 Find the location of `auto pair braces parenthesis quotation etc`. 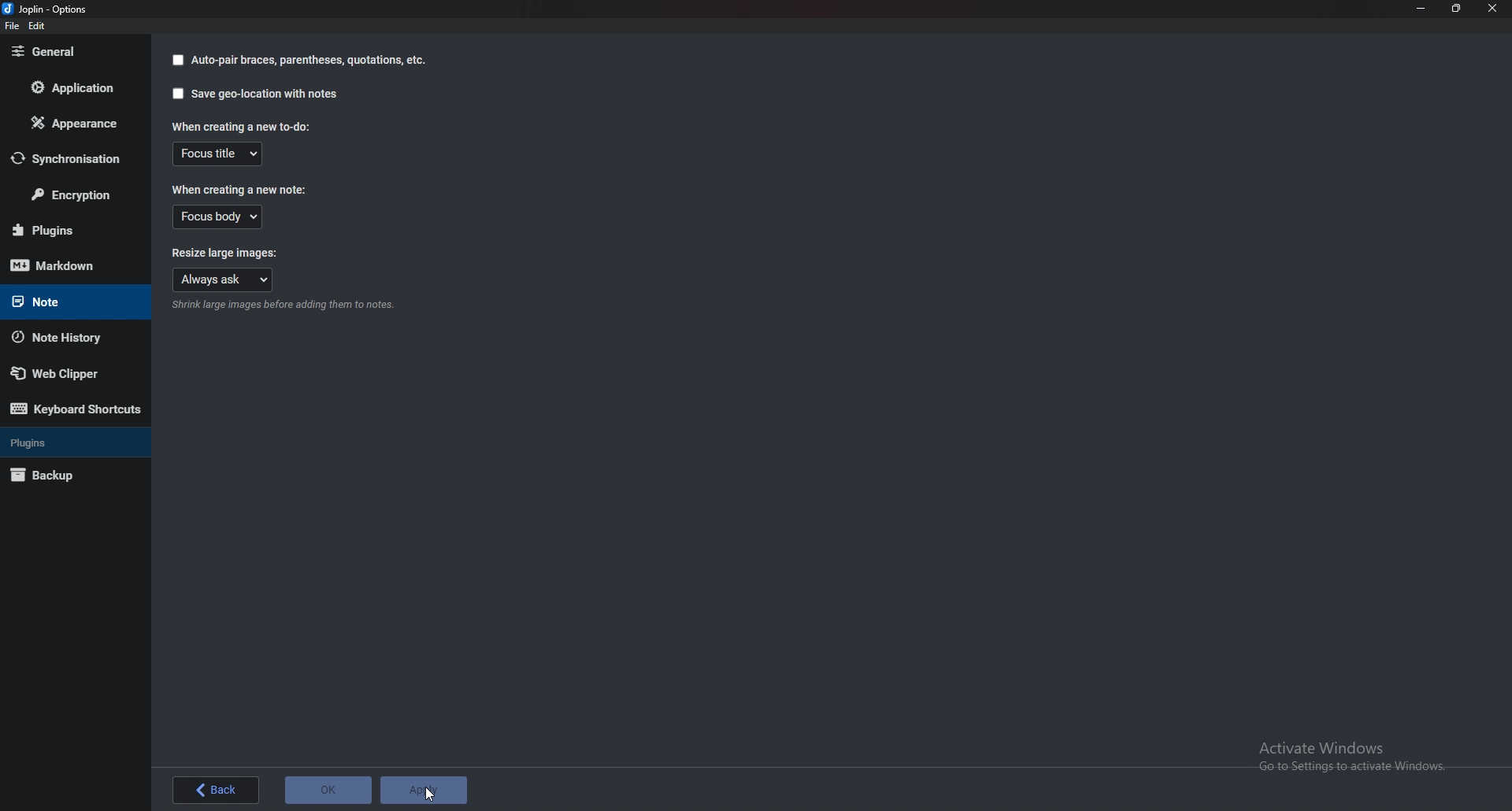

auto pair braces parenthesis quotation etc is located at coordinates (308, 61).